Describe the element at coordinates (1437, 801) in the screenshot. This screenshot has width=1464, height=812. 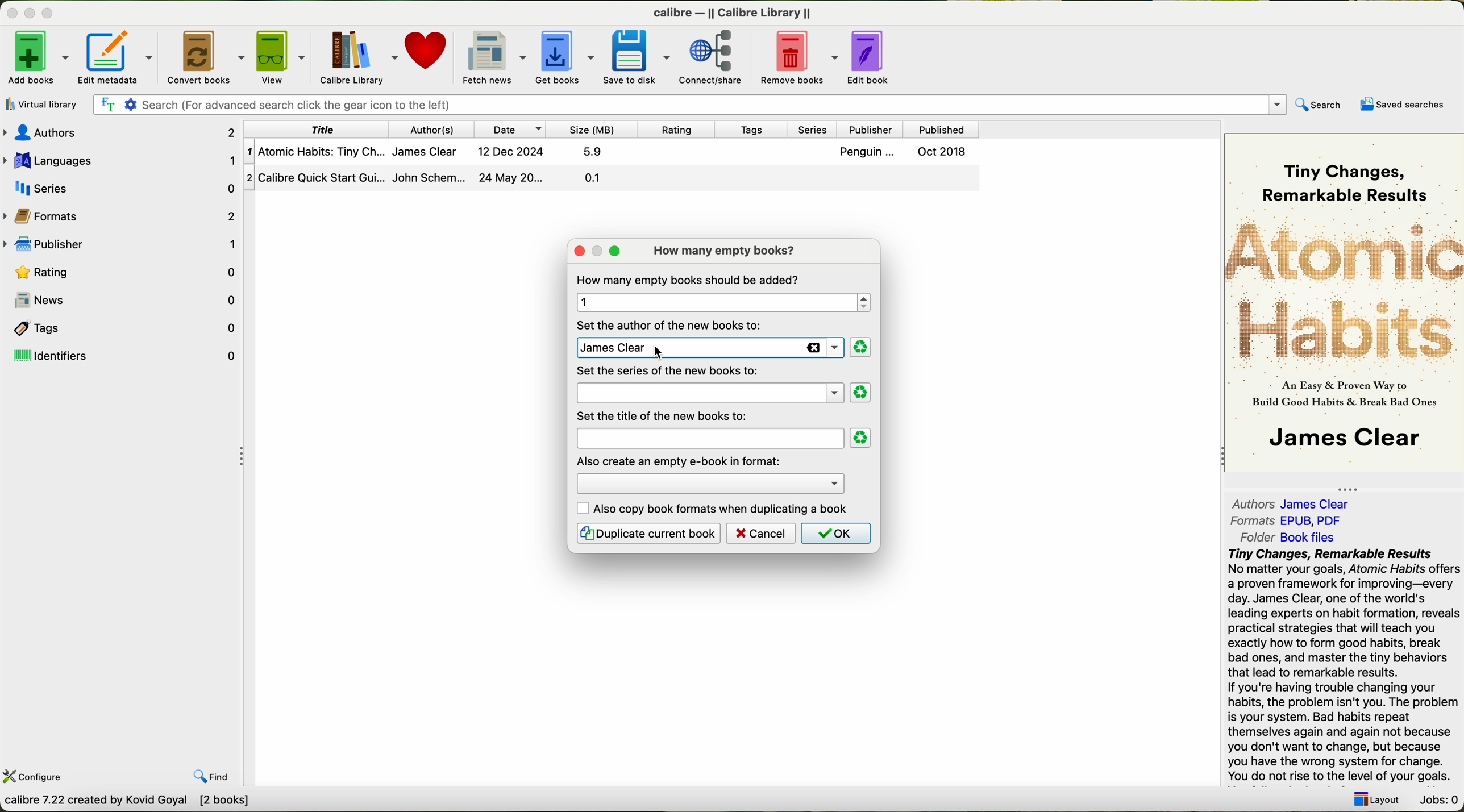
I see `Jobs: 0` at that location.